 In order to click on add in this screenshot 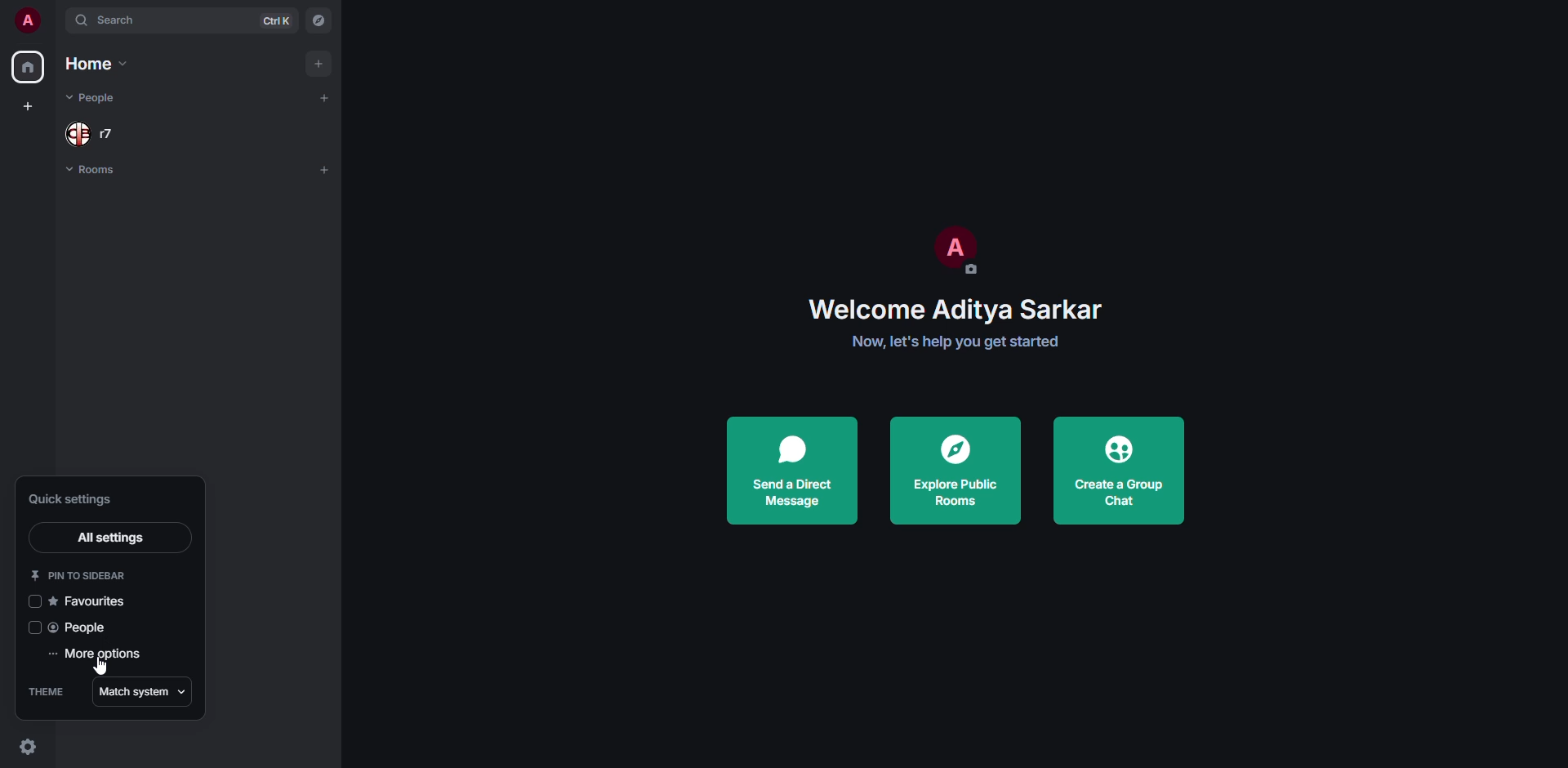, I will do `click(320, 63)`.